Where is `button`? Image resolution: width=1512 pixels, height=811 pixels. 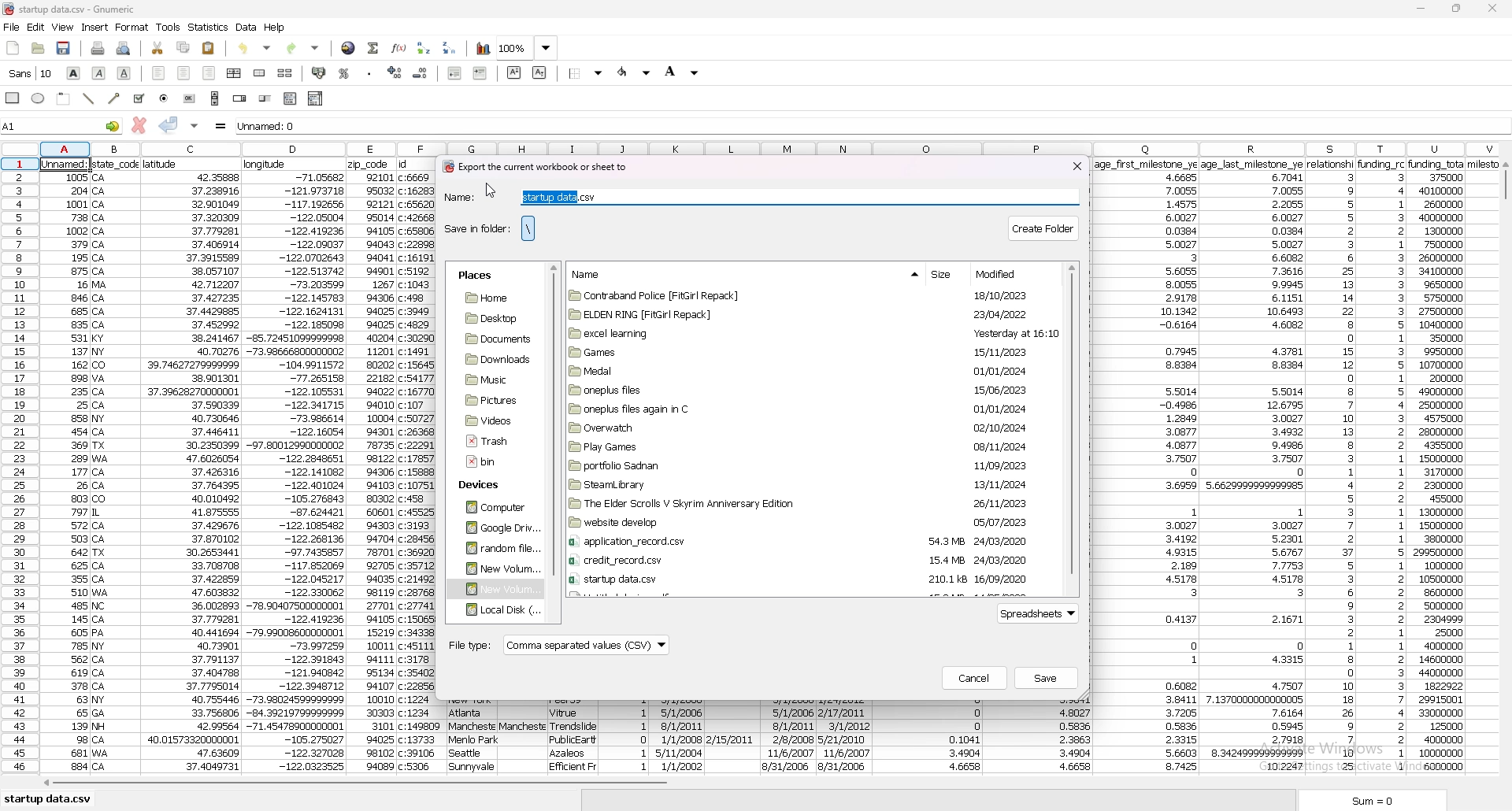
button is located at coordinates (190, 98).